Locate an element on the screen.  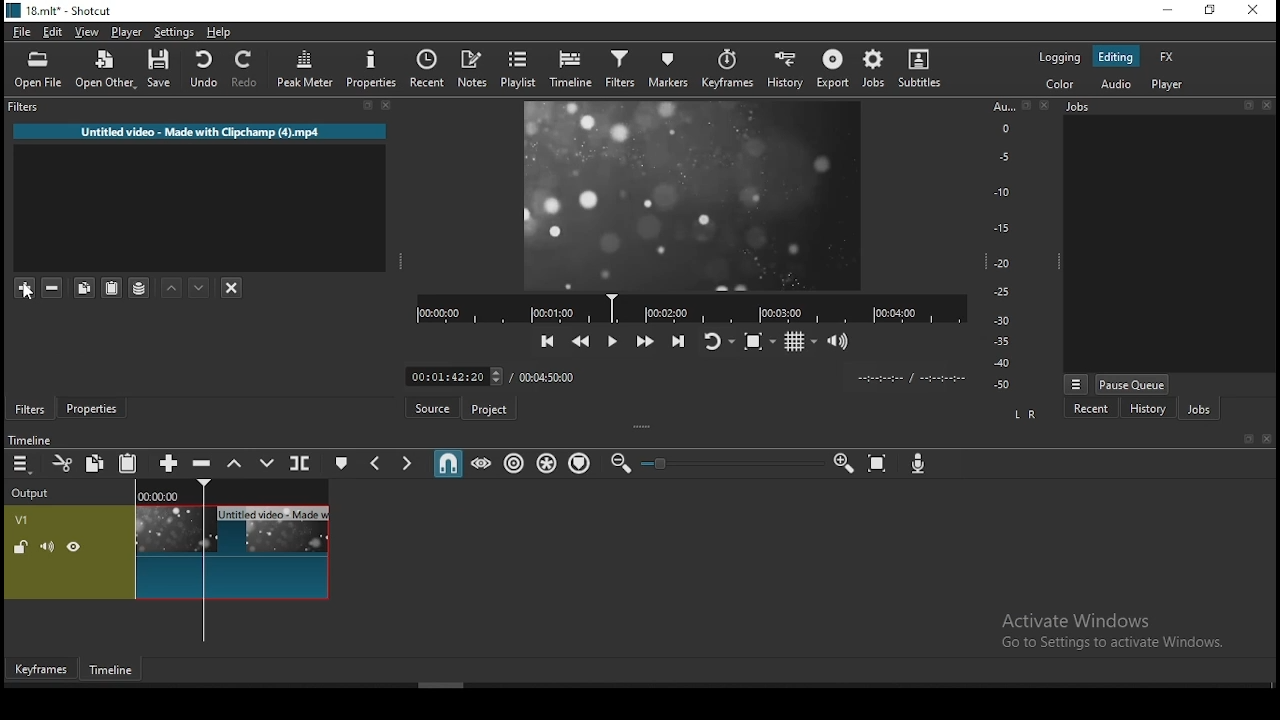
filters is located at coordinates (31, 409).